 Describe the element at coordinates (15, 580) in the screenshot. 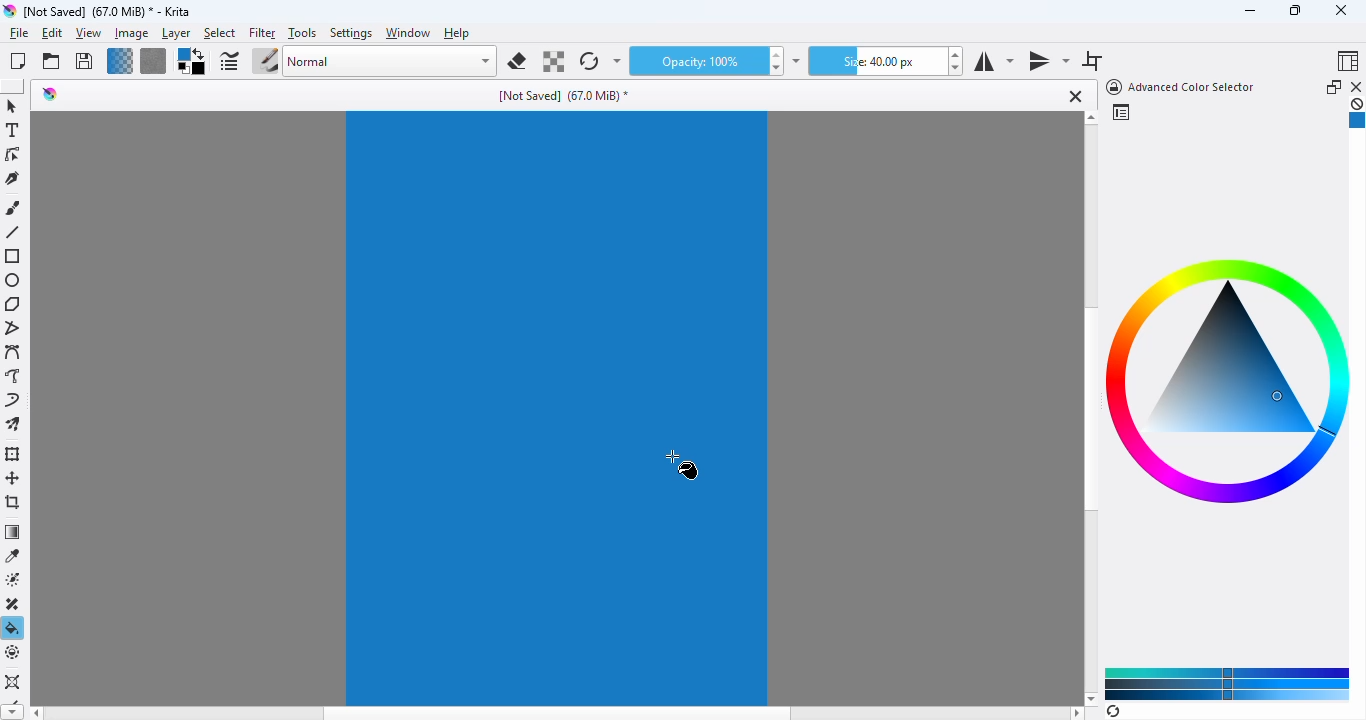

I see `colorize mask tool` at that location.